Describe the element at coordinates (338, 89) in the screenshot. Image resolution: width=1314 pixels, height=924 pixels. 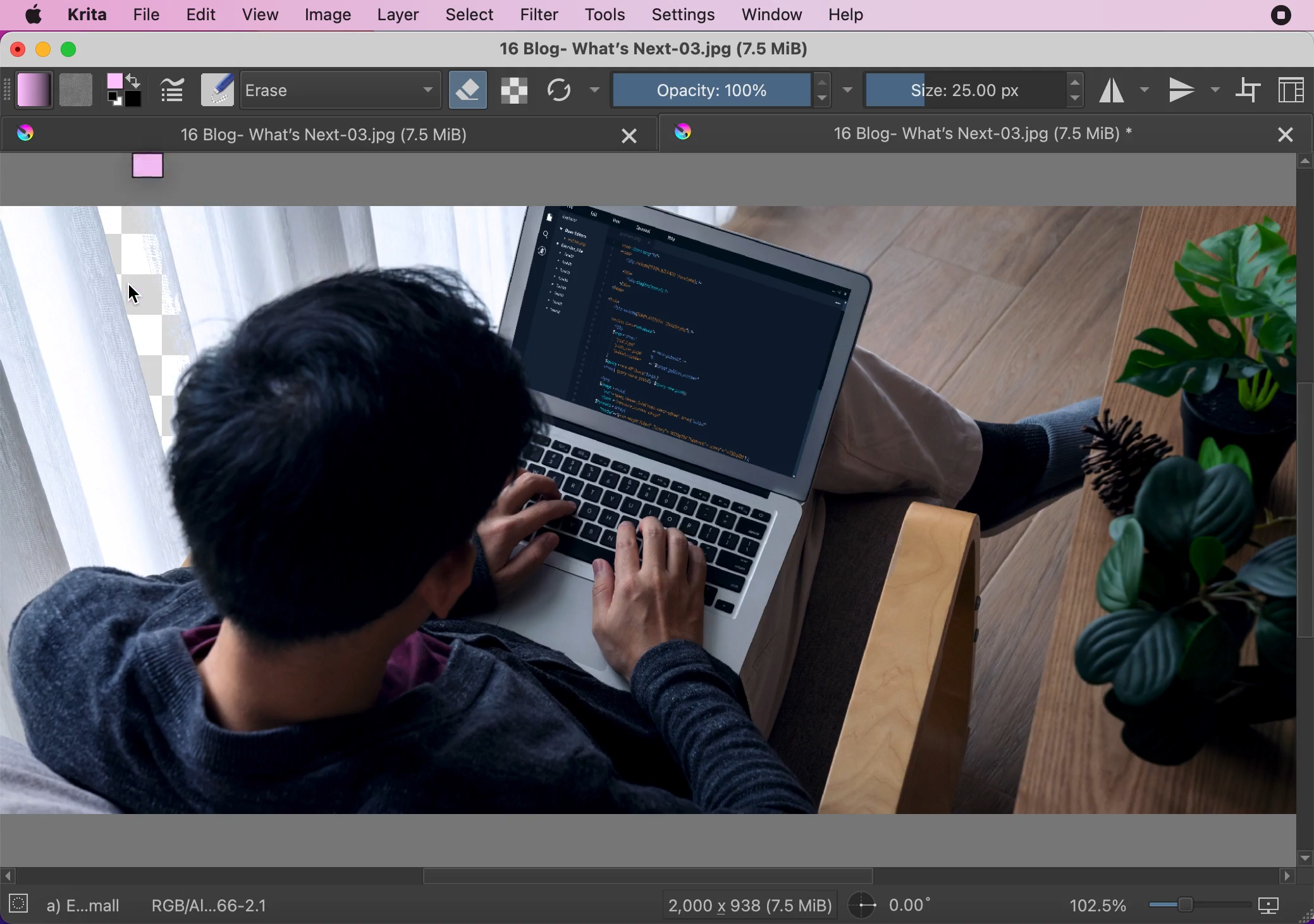
I see `erase` at that location.